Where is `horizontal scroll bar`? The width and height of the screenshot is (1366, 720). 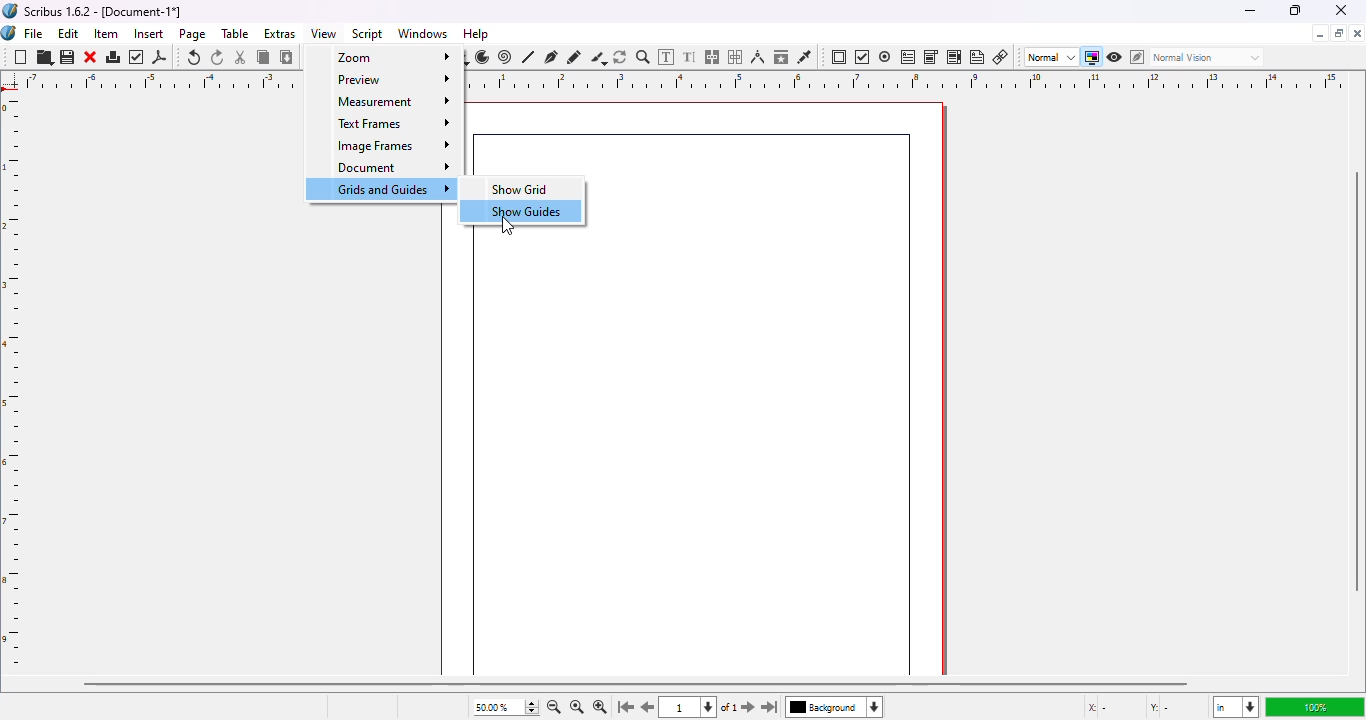 horizontal scroll bar is located at coordinates (635, 683).